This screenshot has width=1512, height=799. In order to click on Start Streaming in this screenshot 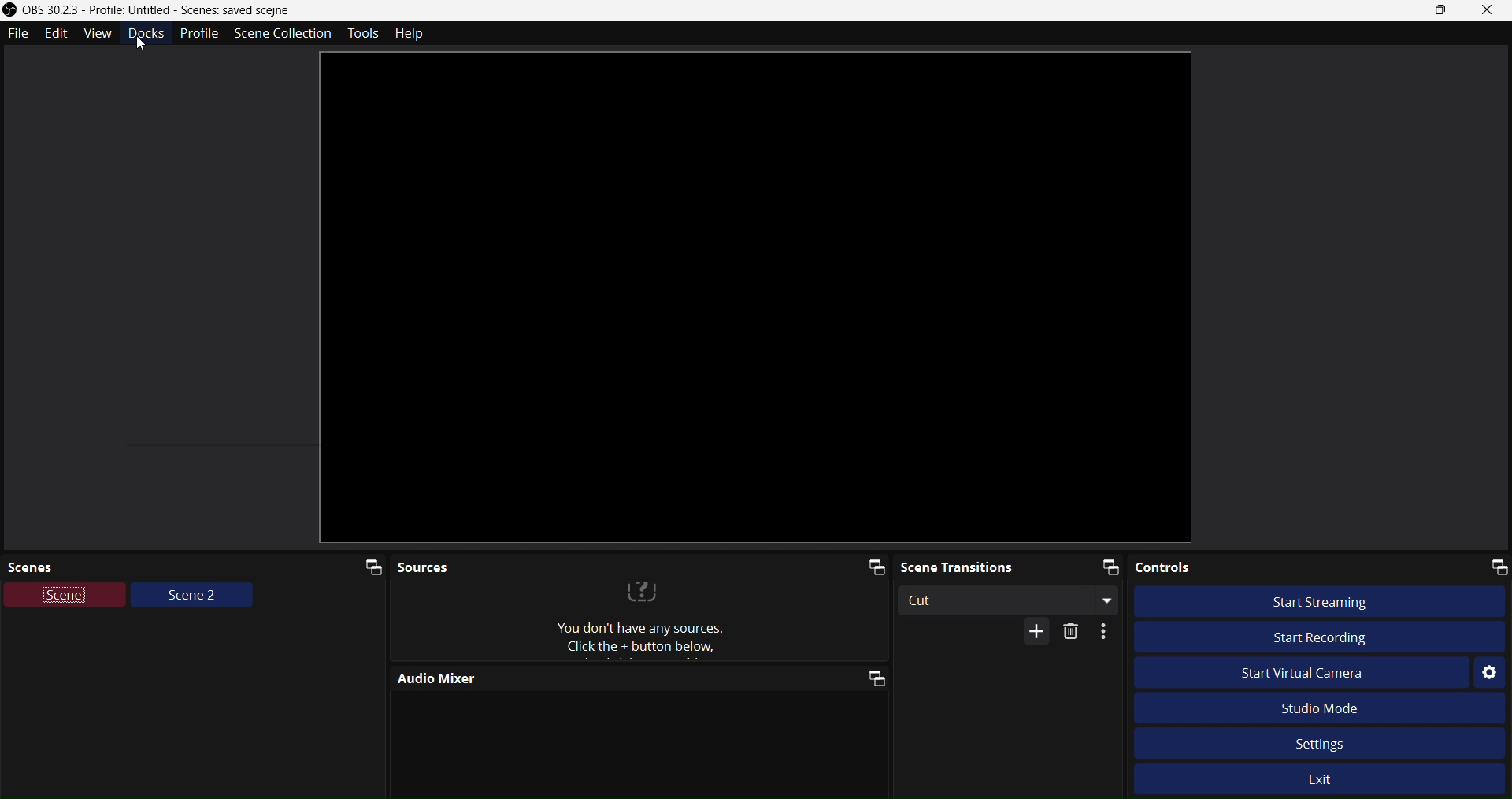, I will do `click(1329, 600)`.